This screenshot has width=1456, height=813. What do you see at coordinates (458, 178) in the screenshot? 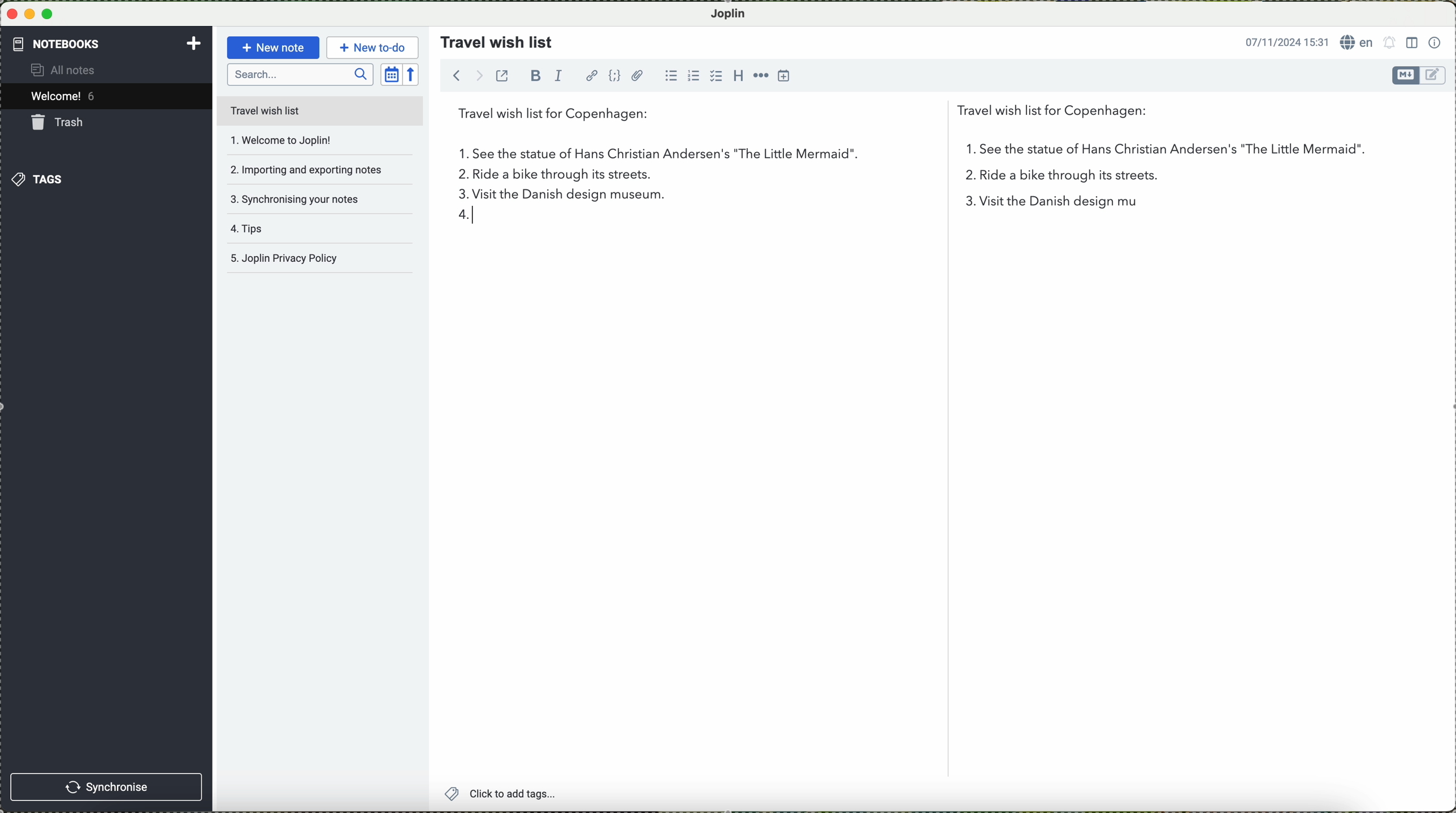
I see `2.` at bounding box center [458, 178].